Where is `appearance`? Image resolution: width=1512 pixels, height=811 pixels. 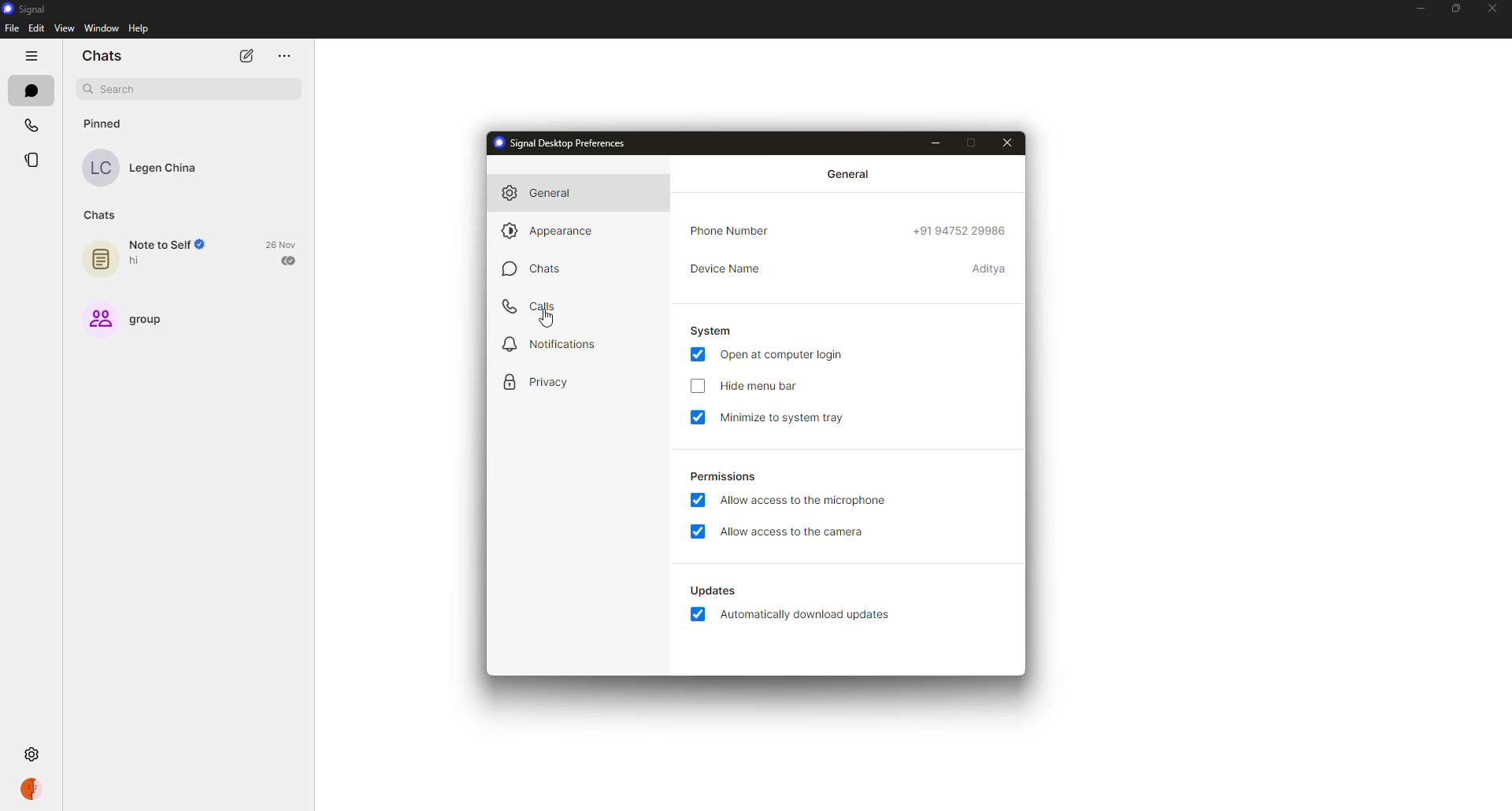 appearance is located at coordinates (554, 233).